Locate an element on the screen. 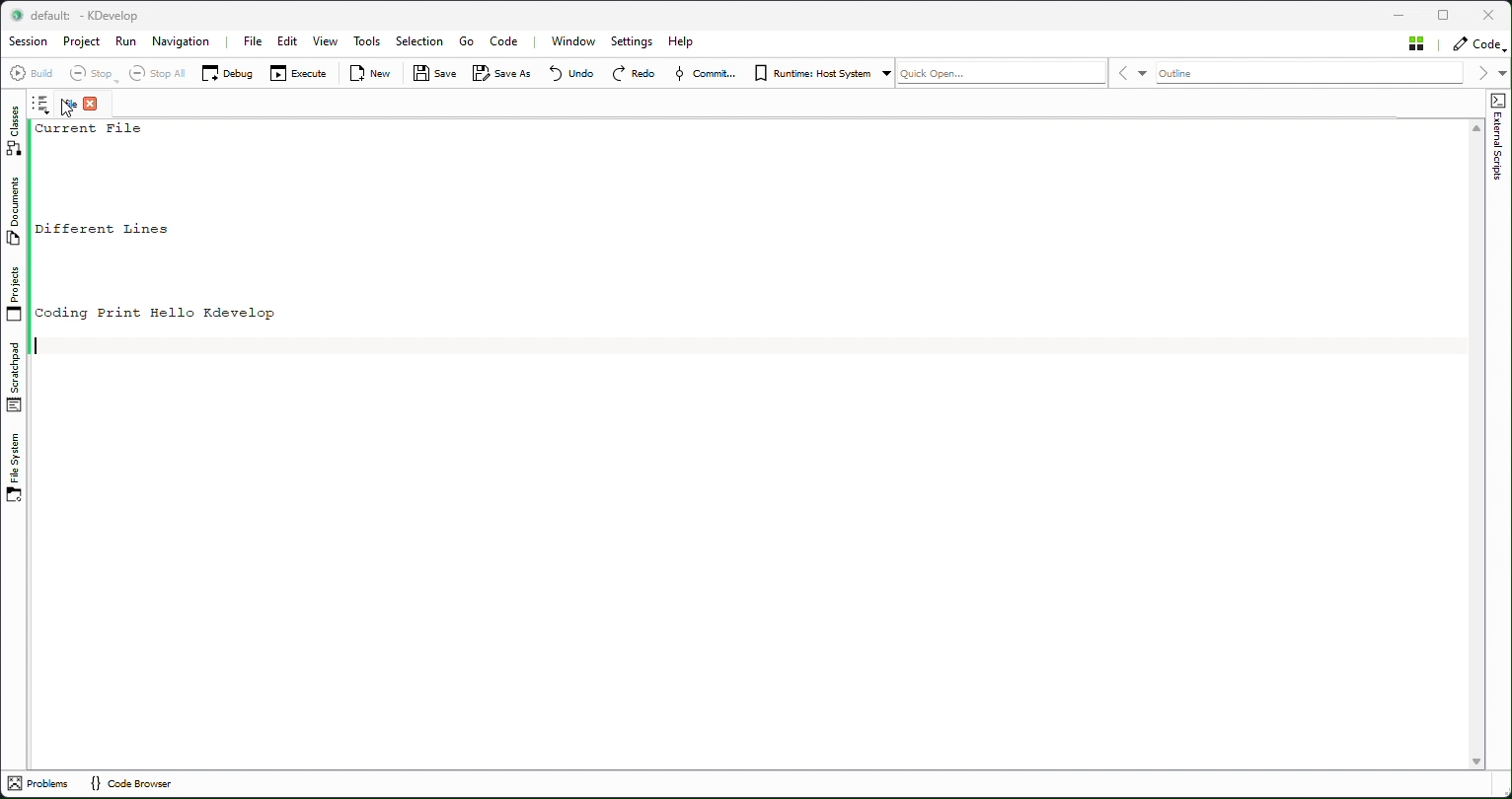 The height and width of the screenshot is (799, 1512). Redo is located at coordinates (634, 74).